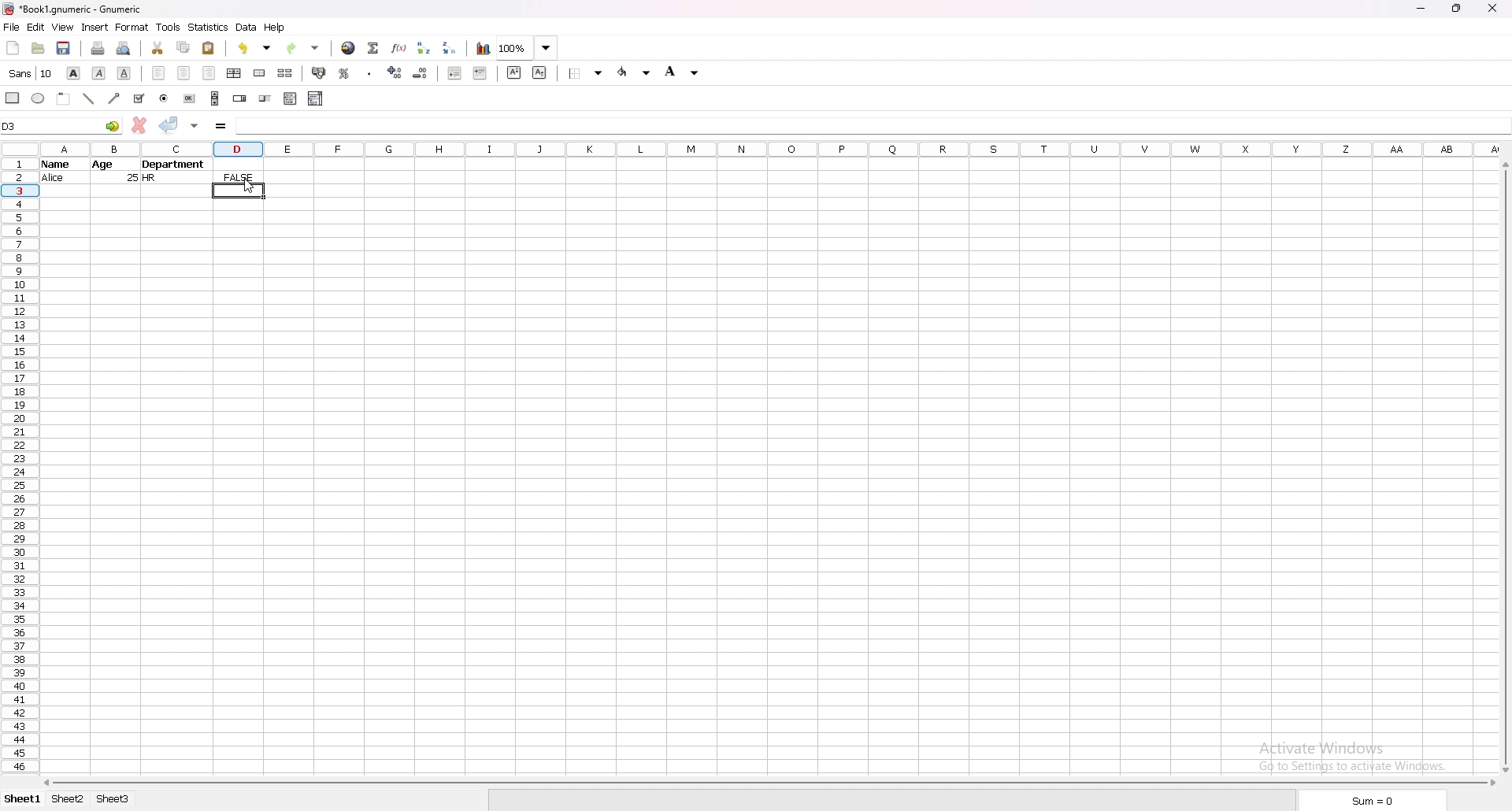 This screenshot has width=1512, height=811. What do you see at coordinates (514, 72) in the screenshot?
I see `superscript` at bounding box center [514, 72].